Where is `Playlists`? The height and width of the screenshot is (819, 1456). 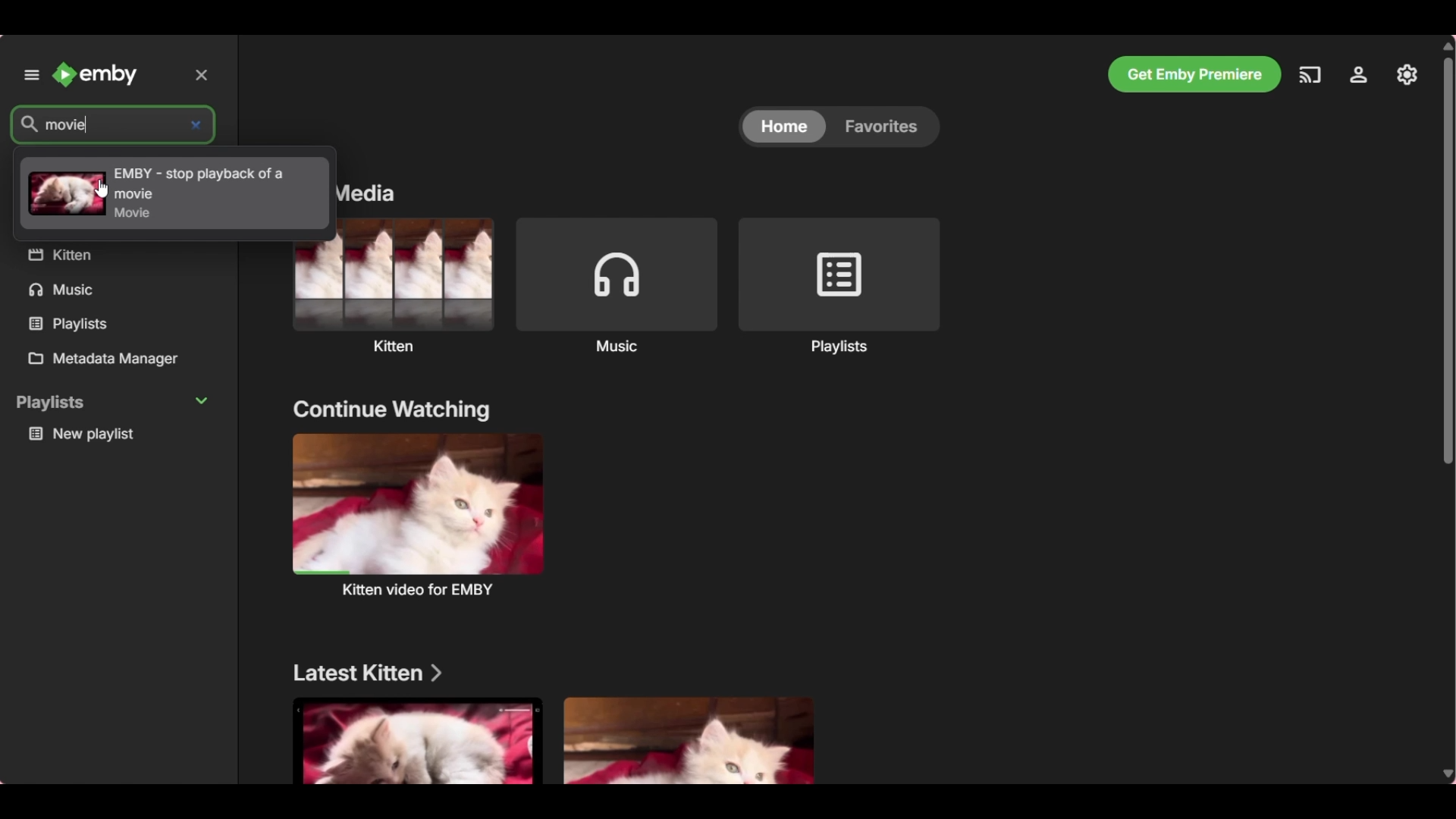 Playlists is located at coordinates (839, 285).